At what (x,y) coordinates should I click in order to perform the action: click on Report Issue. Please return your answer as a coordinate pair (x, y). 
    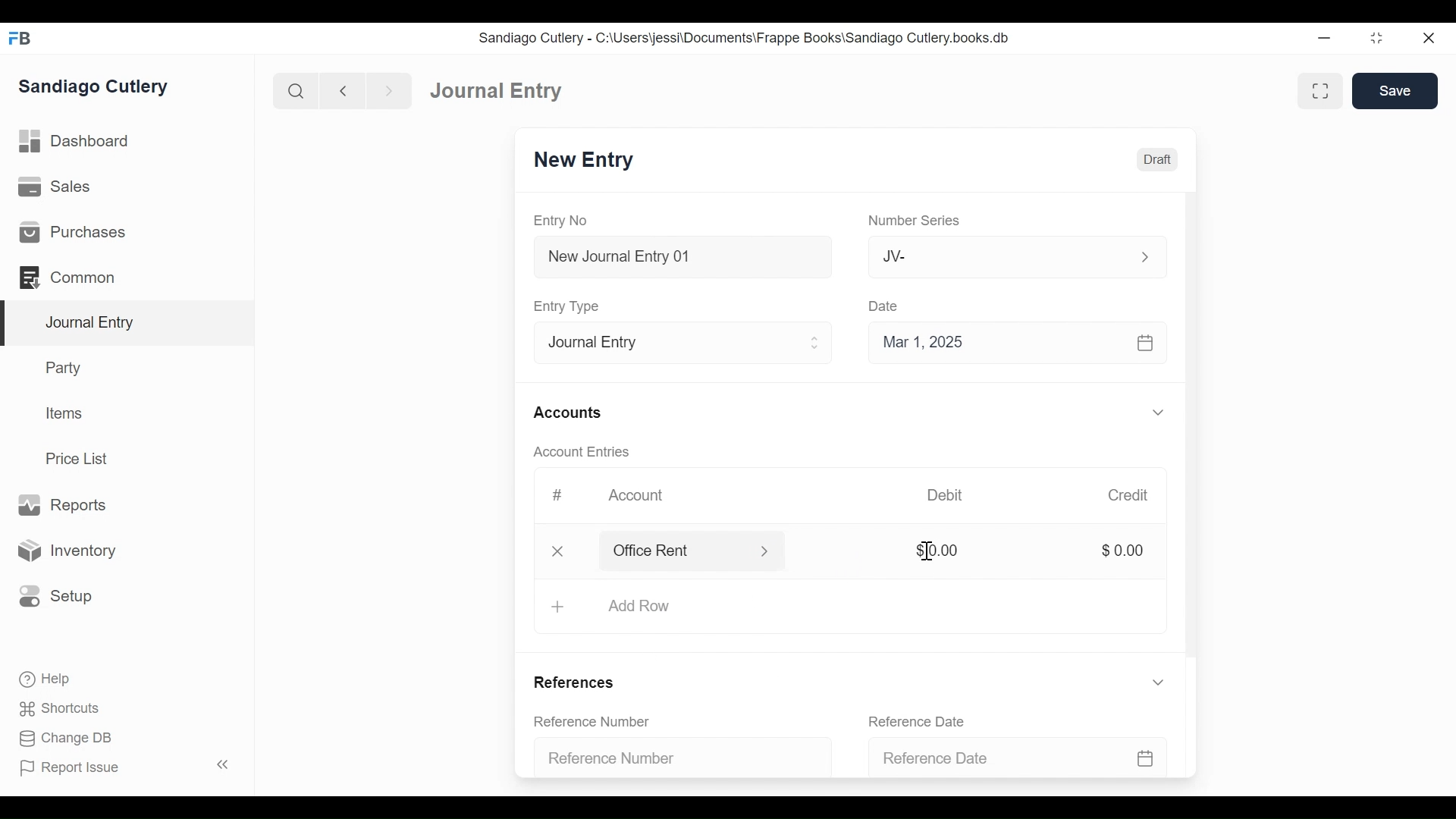
    Looking at the image, I should click on (76, 769).